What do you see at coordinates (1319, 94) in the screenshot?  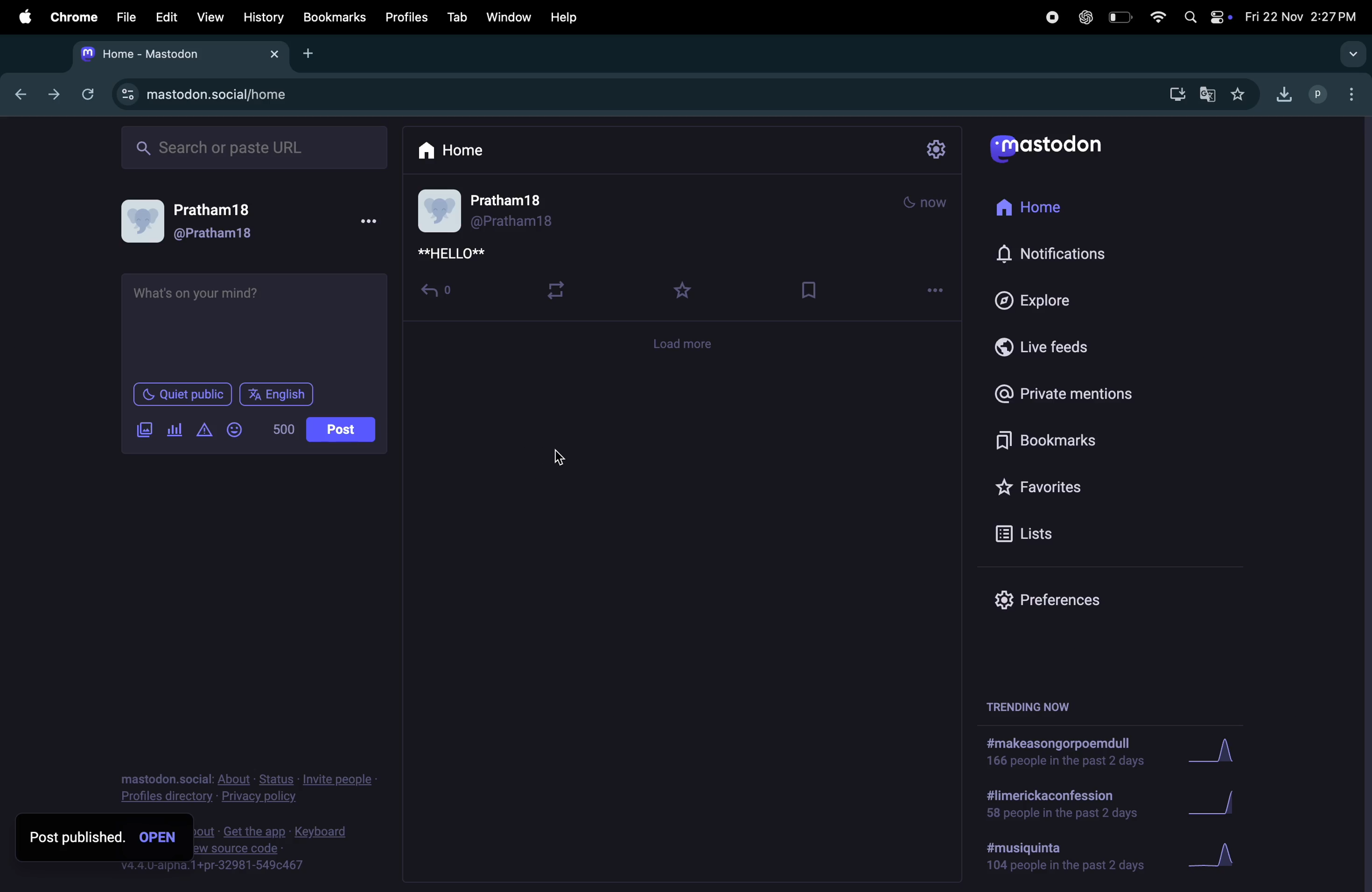 I see `profile` at bounding box center [1319, 94].